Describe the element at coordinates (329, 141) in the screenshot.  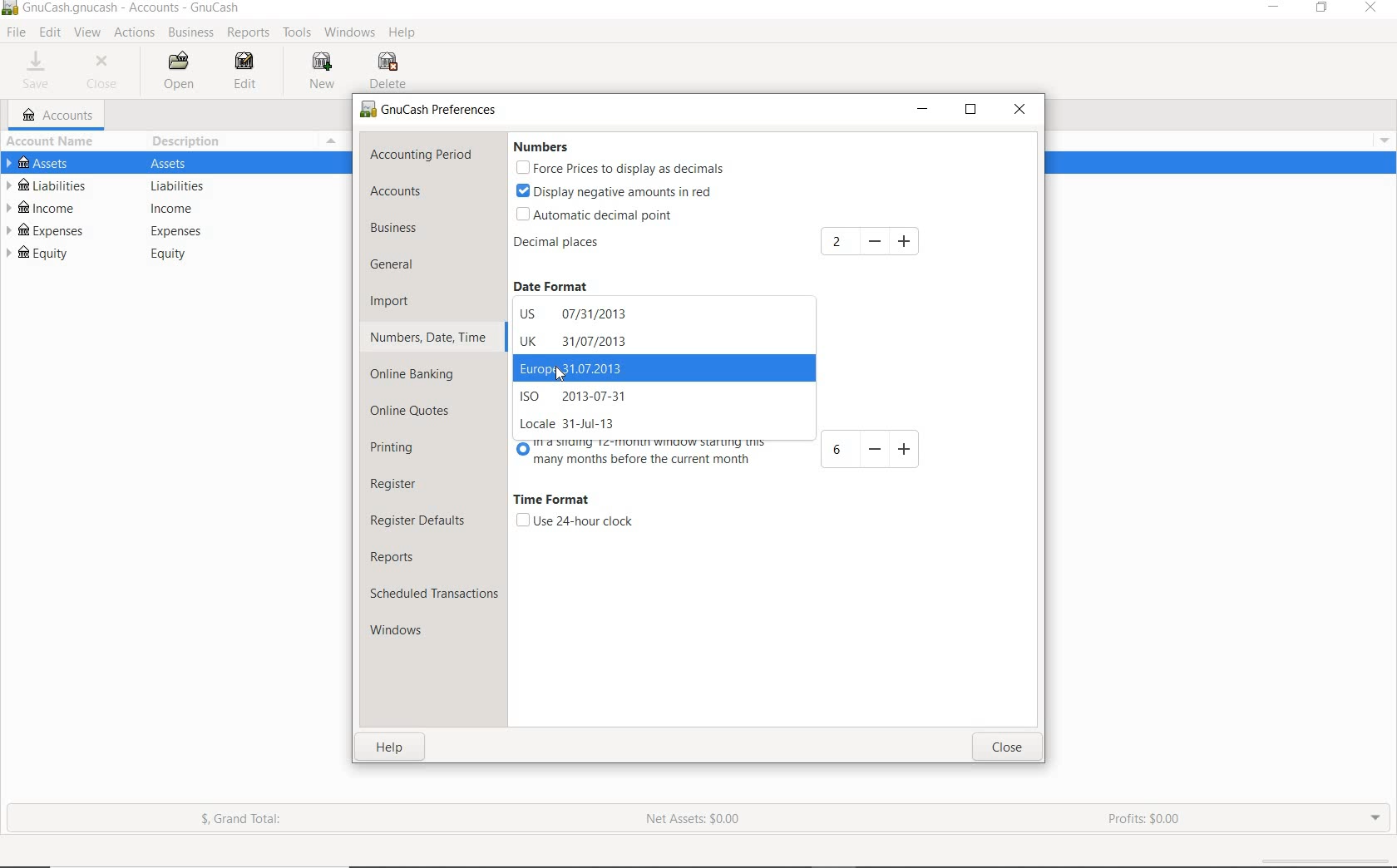
I see `Menu` at that location.